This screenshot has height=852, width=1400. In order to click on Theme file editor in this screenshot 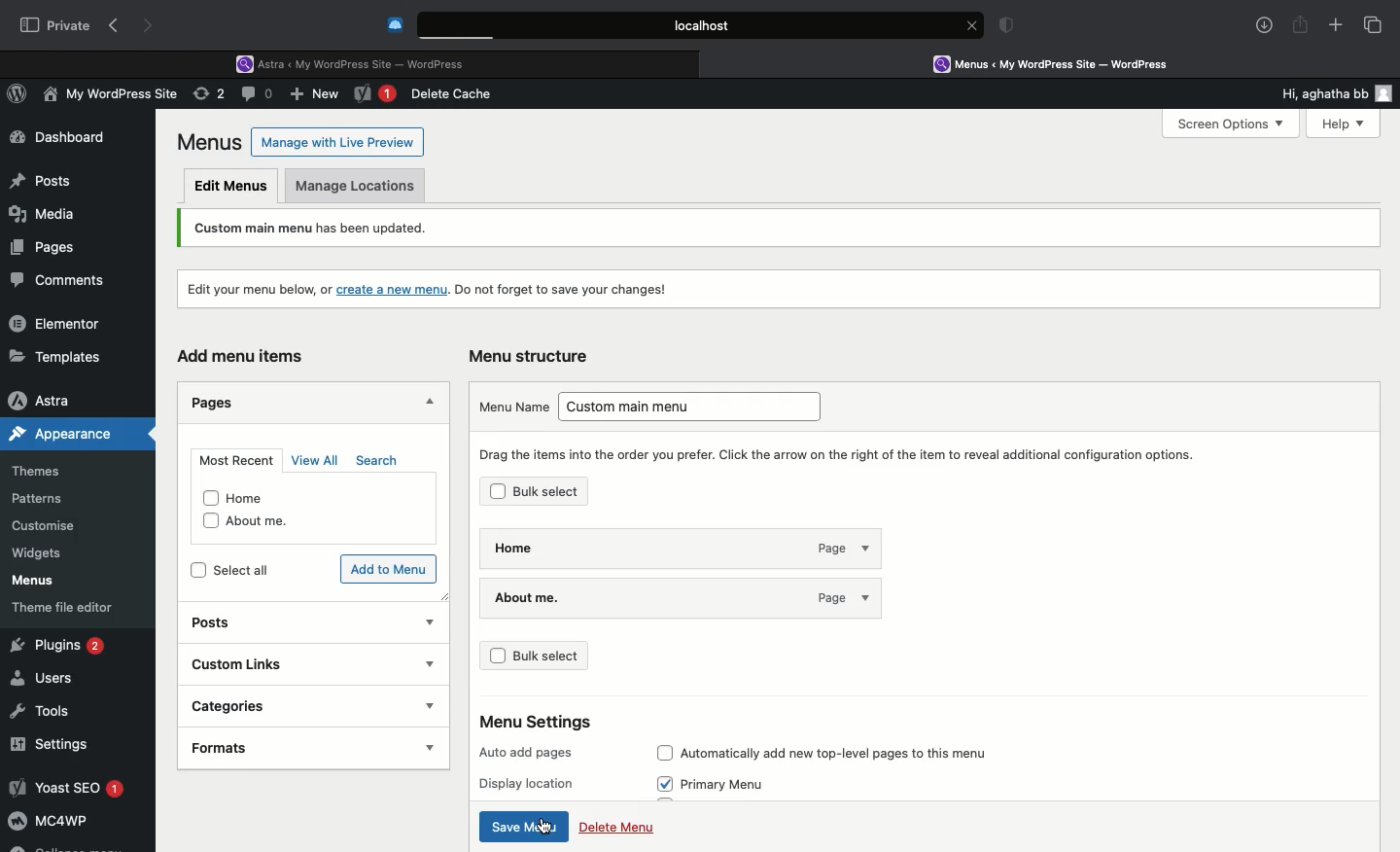, I will do `click(70, 607)`.